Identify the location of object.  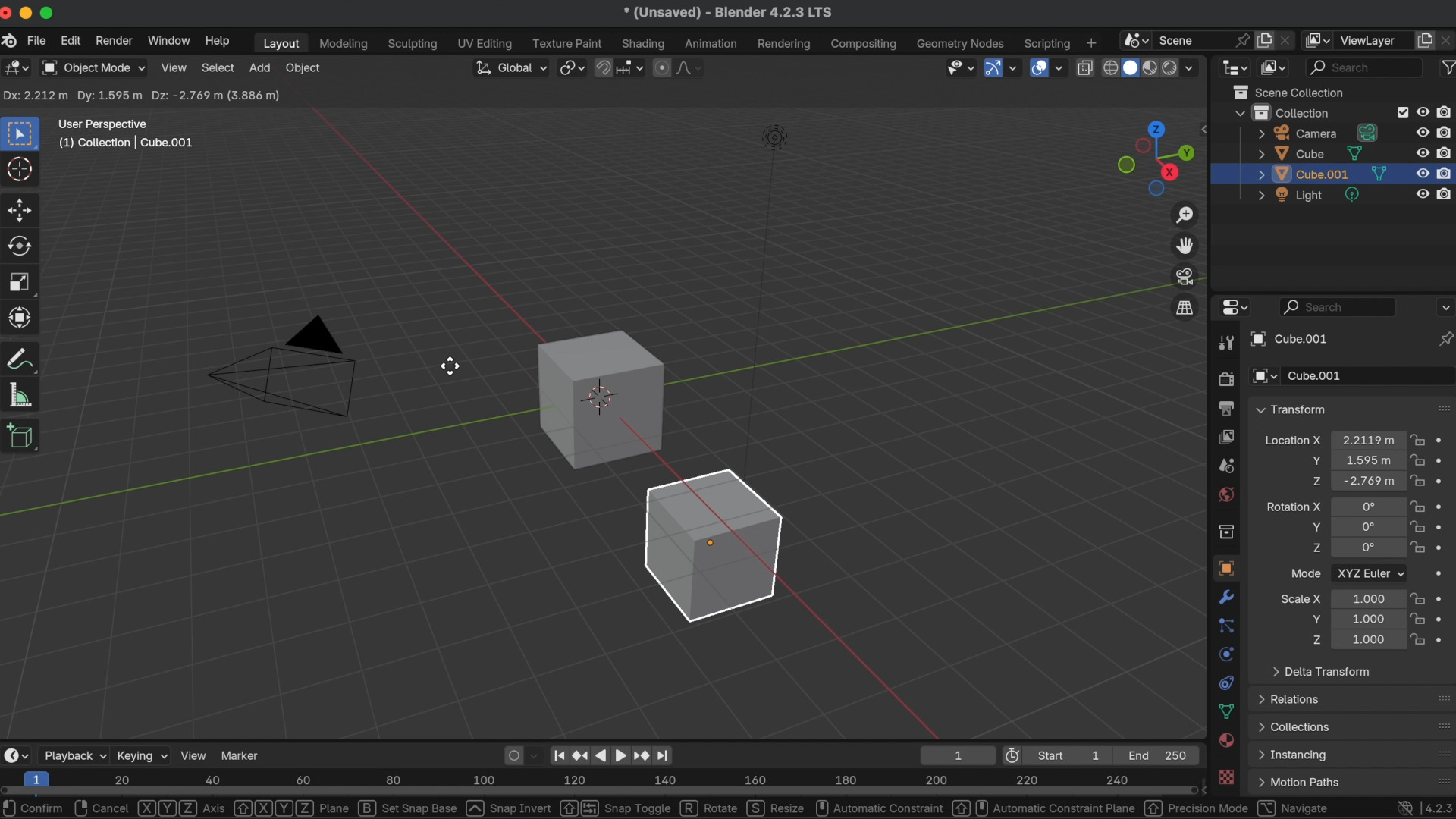
(1224, 568).